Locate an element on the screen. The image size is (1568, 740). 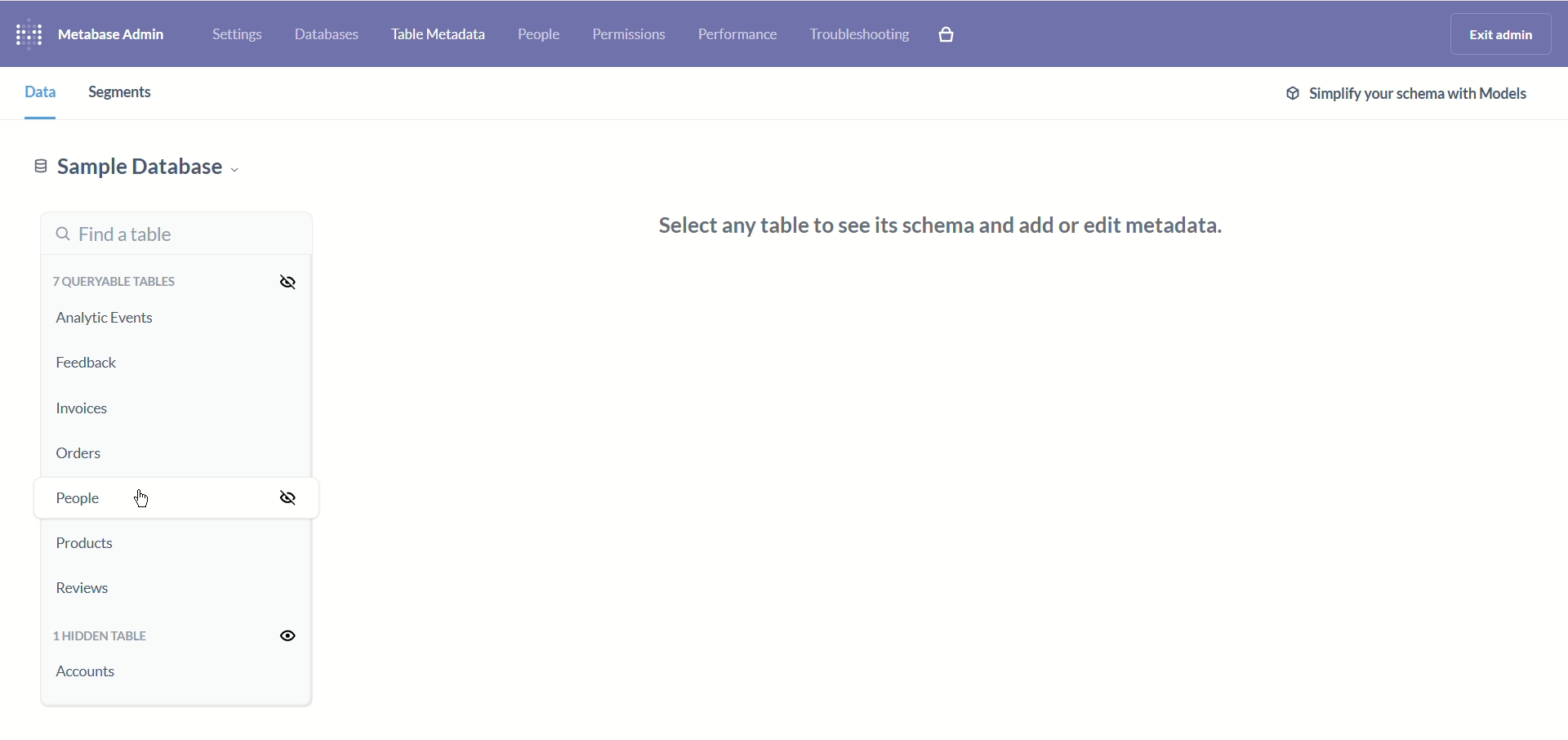
Permissions is located at coordinates (630, 37).